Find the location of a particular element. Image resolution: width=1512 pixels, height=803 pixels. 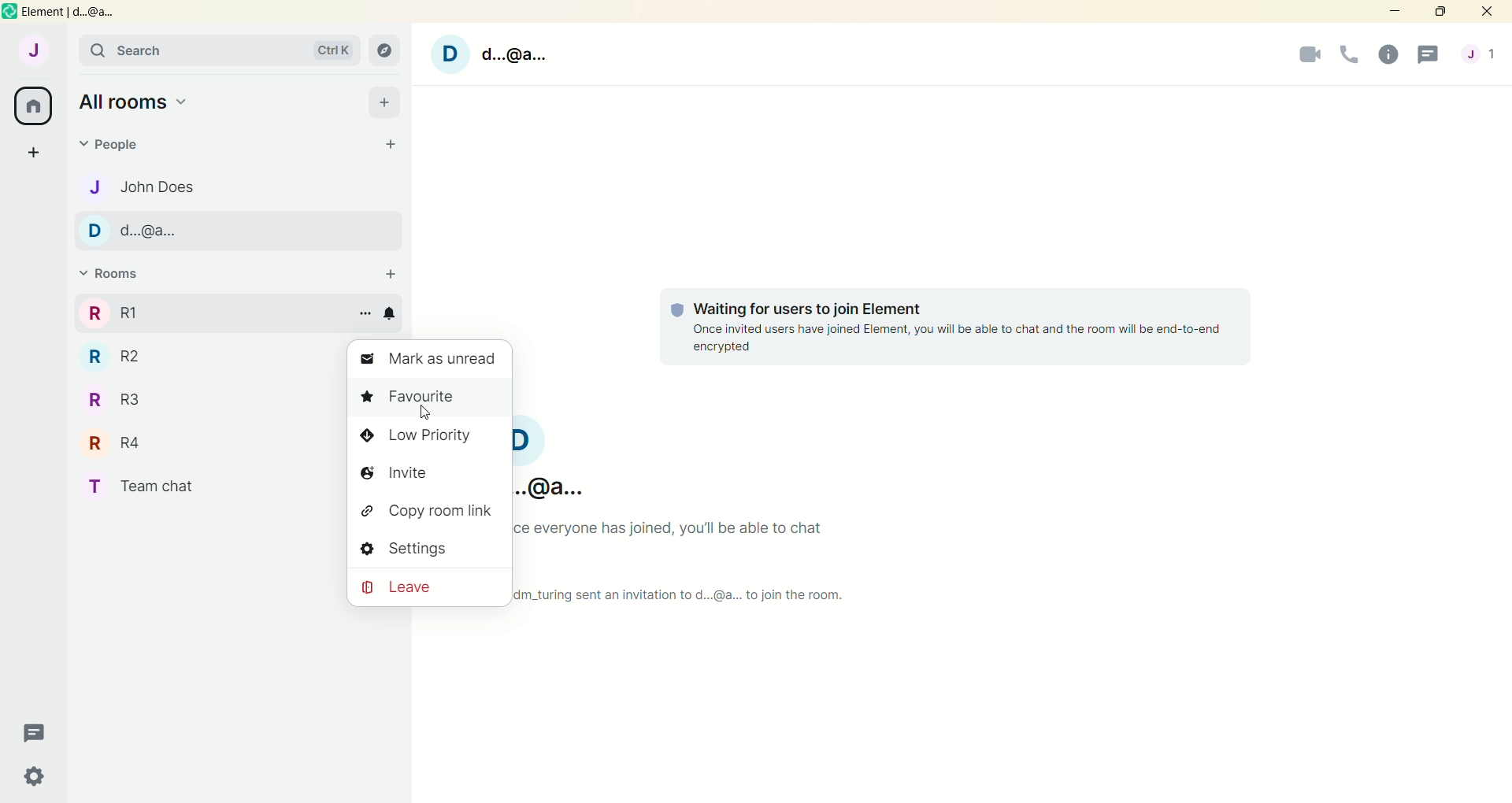

Leave is located at coordinates (417, 587).